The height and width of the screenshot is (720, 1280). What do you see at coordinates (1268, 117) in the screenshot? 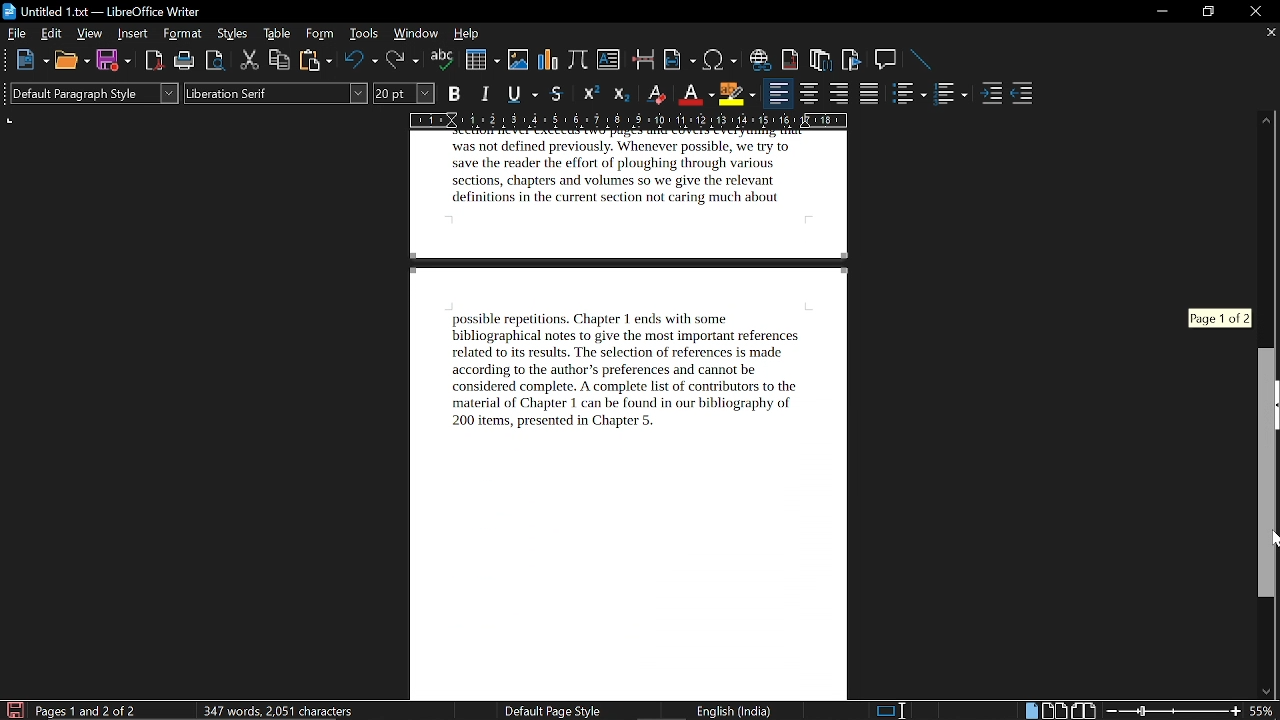
I see `move up` at bounding box center [1268, 117].